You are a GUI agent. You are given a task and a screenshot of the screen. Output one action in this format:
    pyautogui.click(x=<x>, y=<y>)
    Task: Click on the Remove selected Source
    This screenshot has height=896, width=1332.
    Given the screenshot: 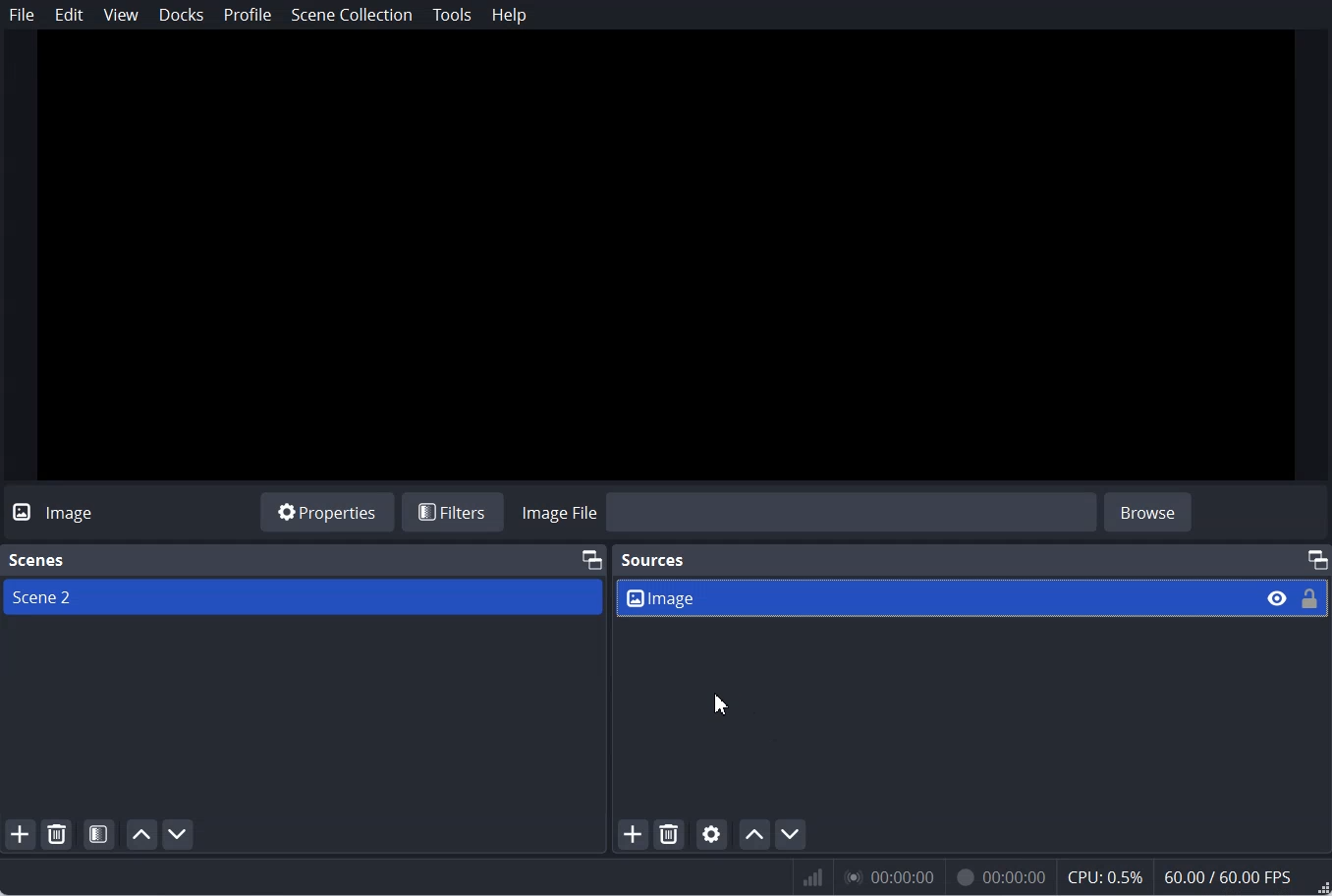 What is the action you would take?
    pyautogui.click(x=670, y=833)
    